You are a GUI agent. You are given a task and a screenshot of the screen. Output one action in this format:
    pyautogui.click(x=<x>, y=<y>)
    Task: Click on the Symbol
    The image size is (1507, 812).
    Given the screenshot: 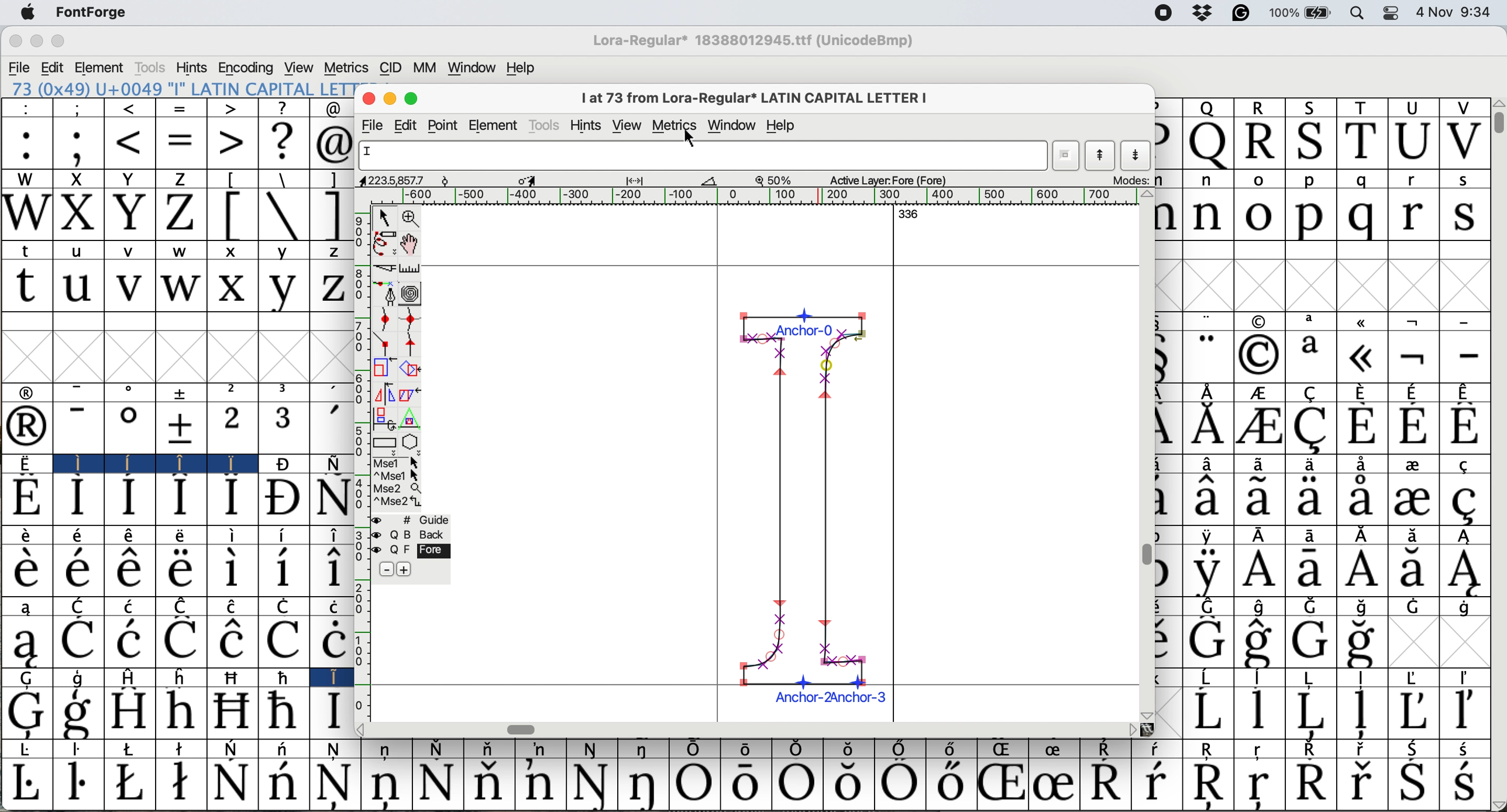 What is the action you would take?
    pyautogui.click(x=23, y=569)
    